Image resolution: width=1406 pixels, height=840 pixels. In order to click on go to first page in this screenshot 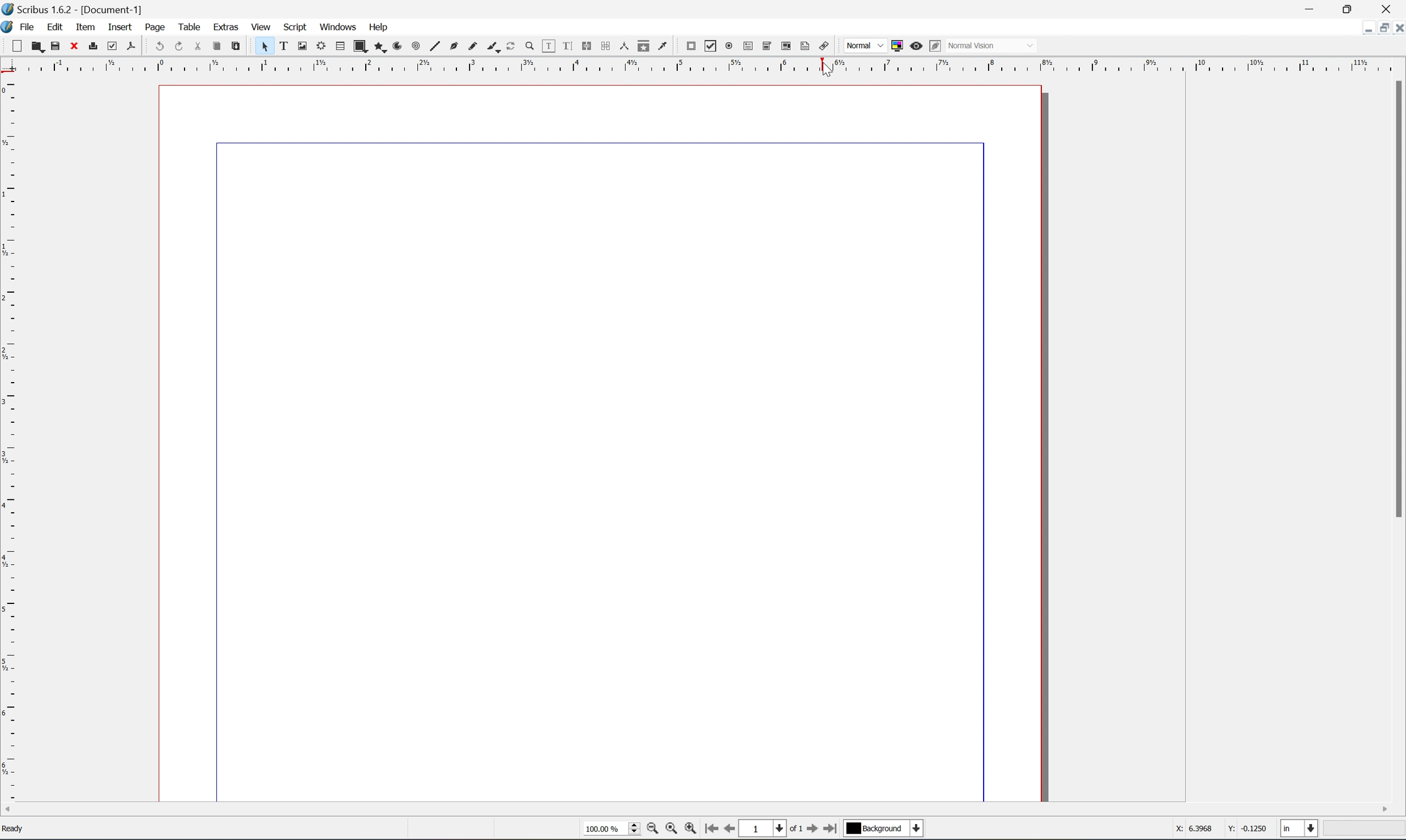, I will do `click(713, 830)`.